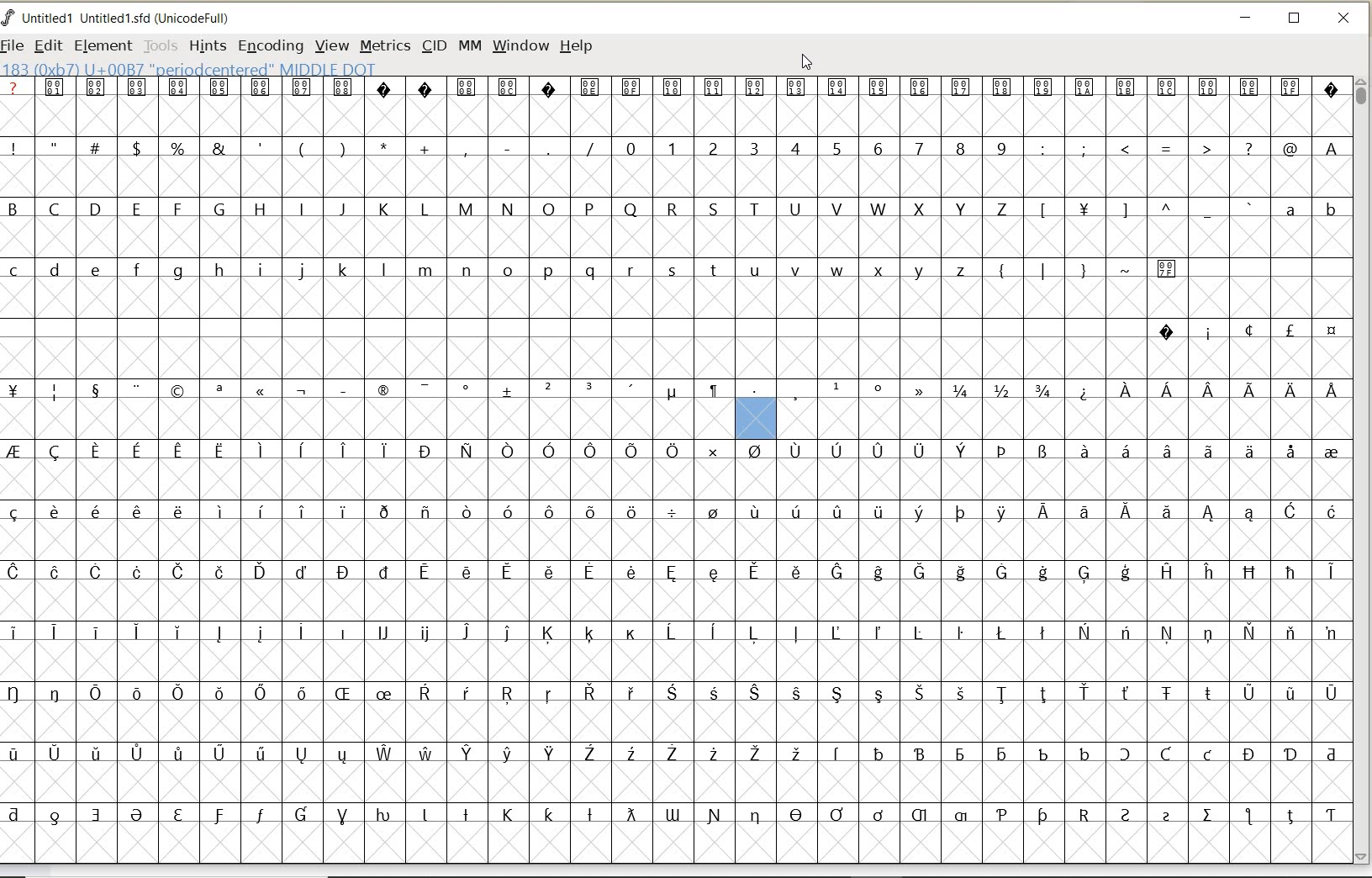 Image resolution: width=1372 pixels, height=878 pixels. I want to click on lowercase letters, so click(1310, 213).